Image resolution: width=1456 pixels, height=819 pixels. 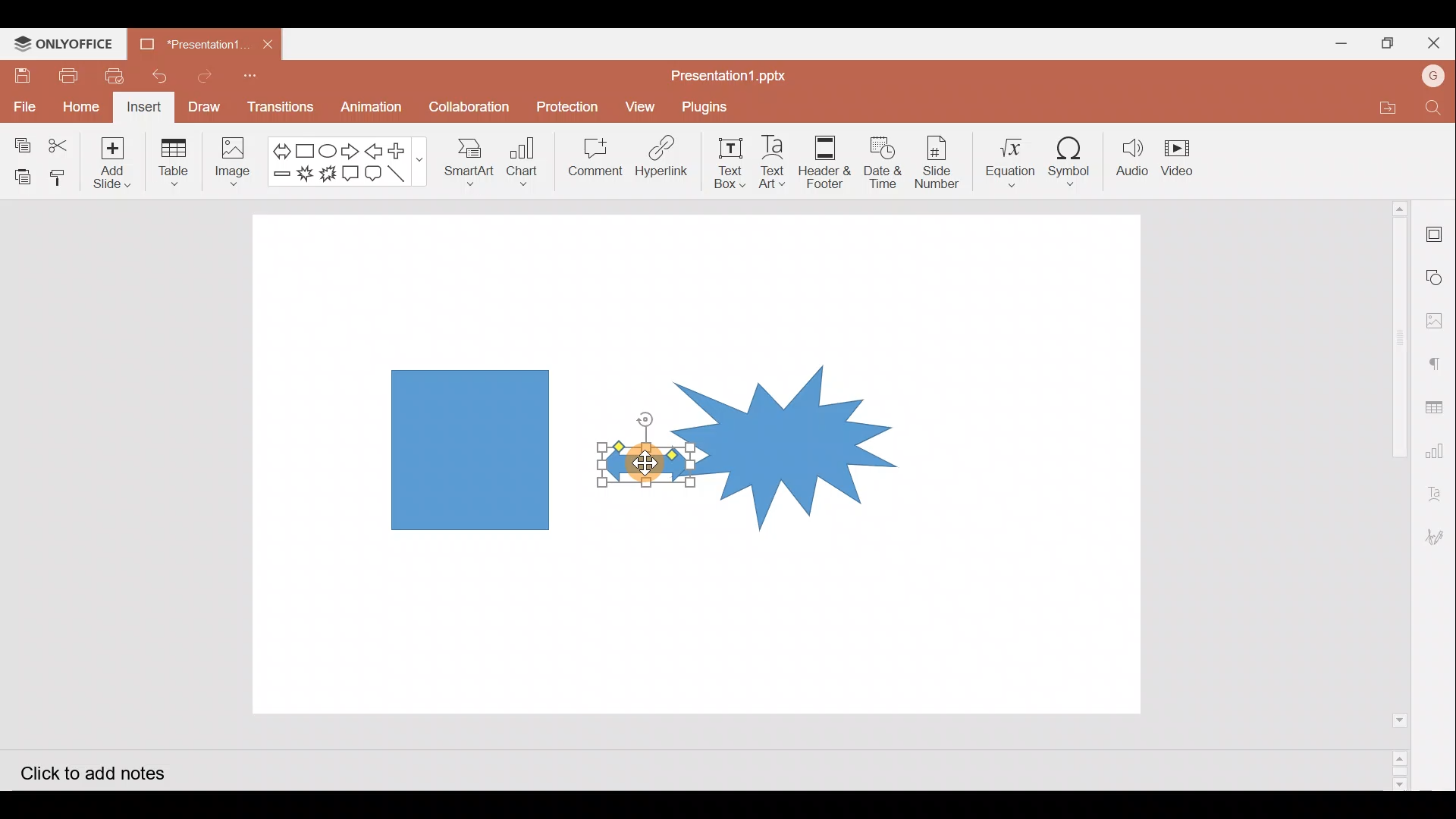 I want to click on Add slide, so click(x=119, y=163).